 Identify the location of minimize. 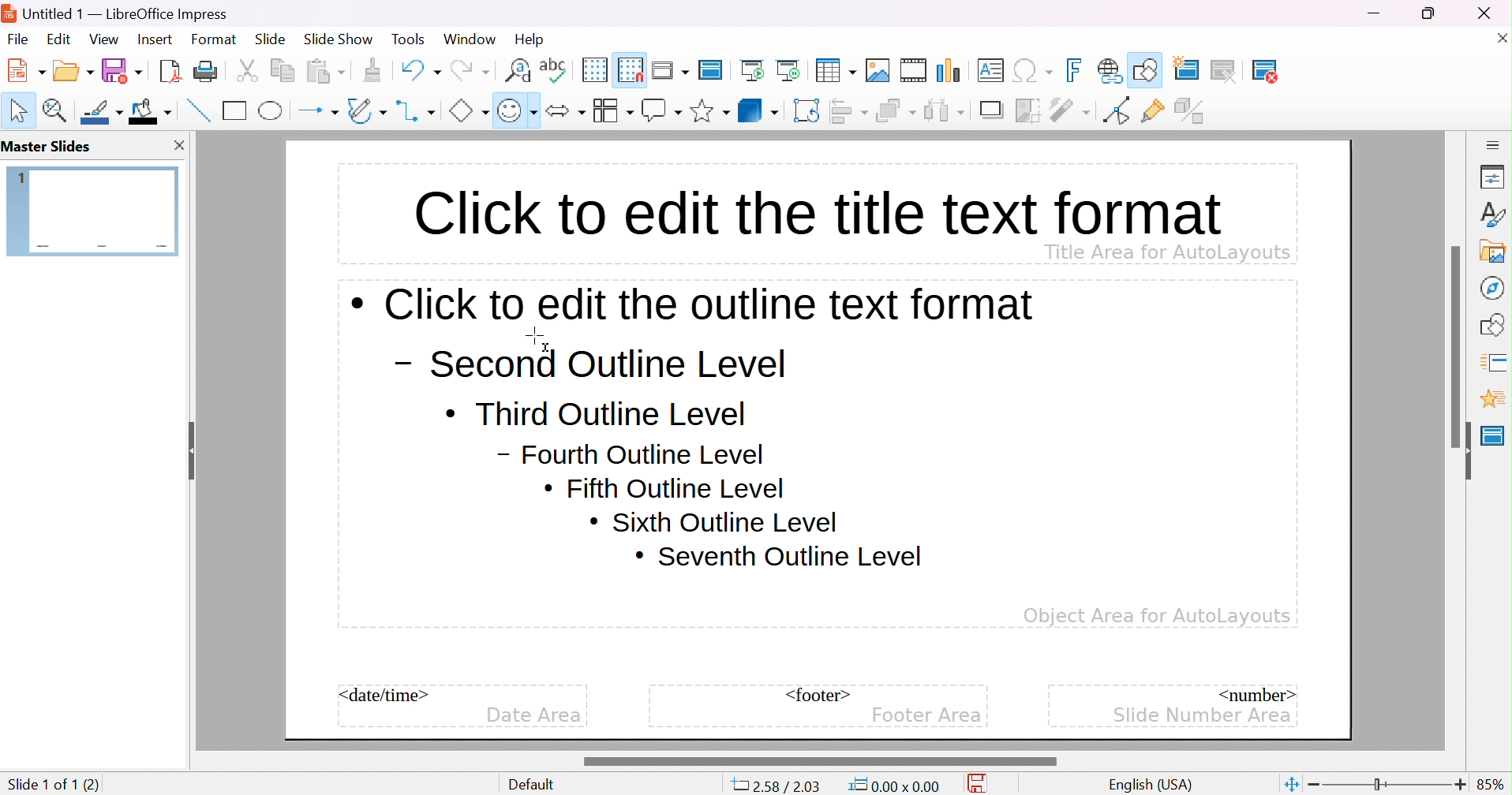
(1376, 13).